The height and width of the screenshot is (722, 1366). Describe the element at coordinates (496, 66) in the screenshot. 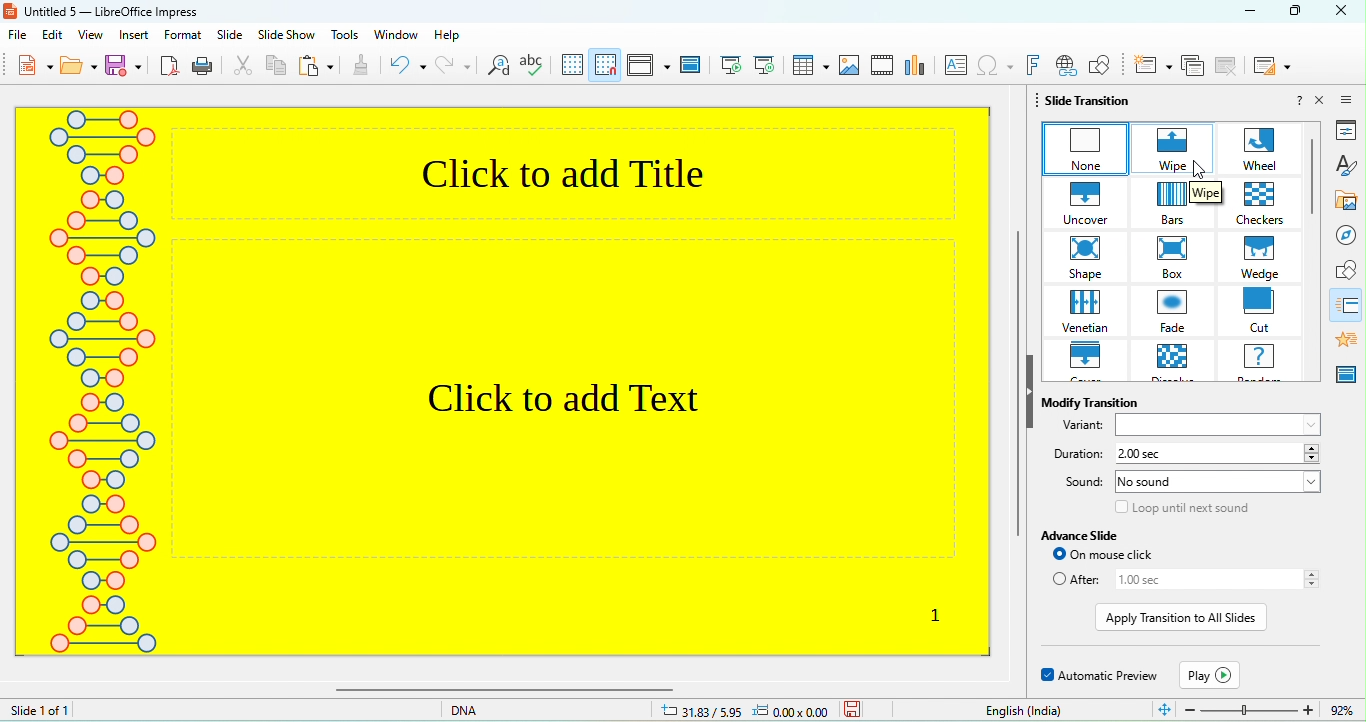

I see `find and replace` at that location.